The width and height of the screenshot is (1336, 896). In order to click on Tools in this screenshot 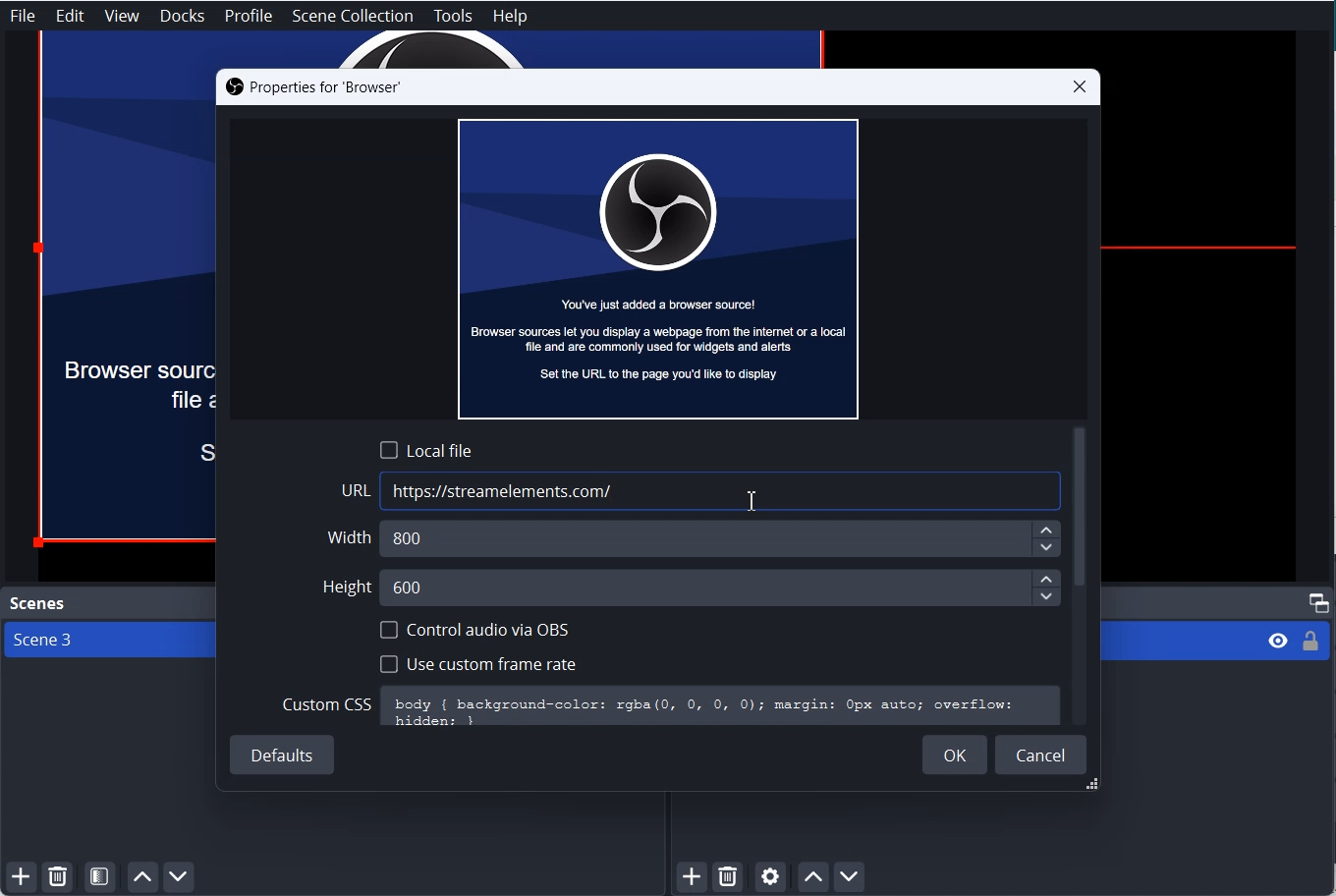, I will do `click(453, 17)`.